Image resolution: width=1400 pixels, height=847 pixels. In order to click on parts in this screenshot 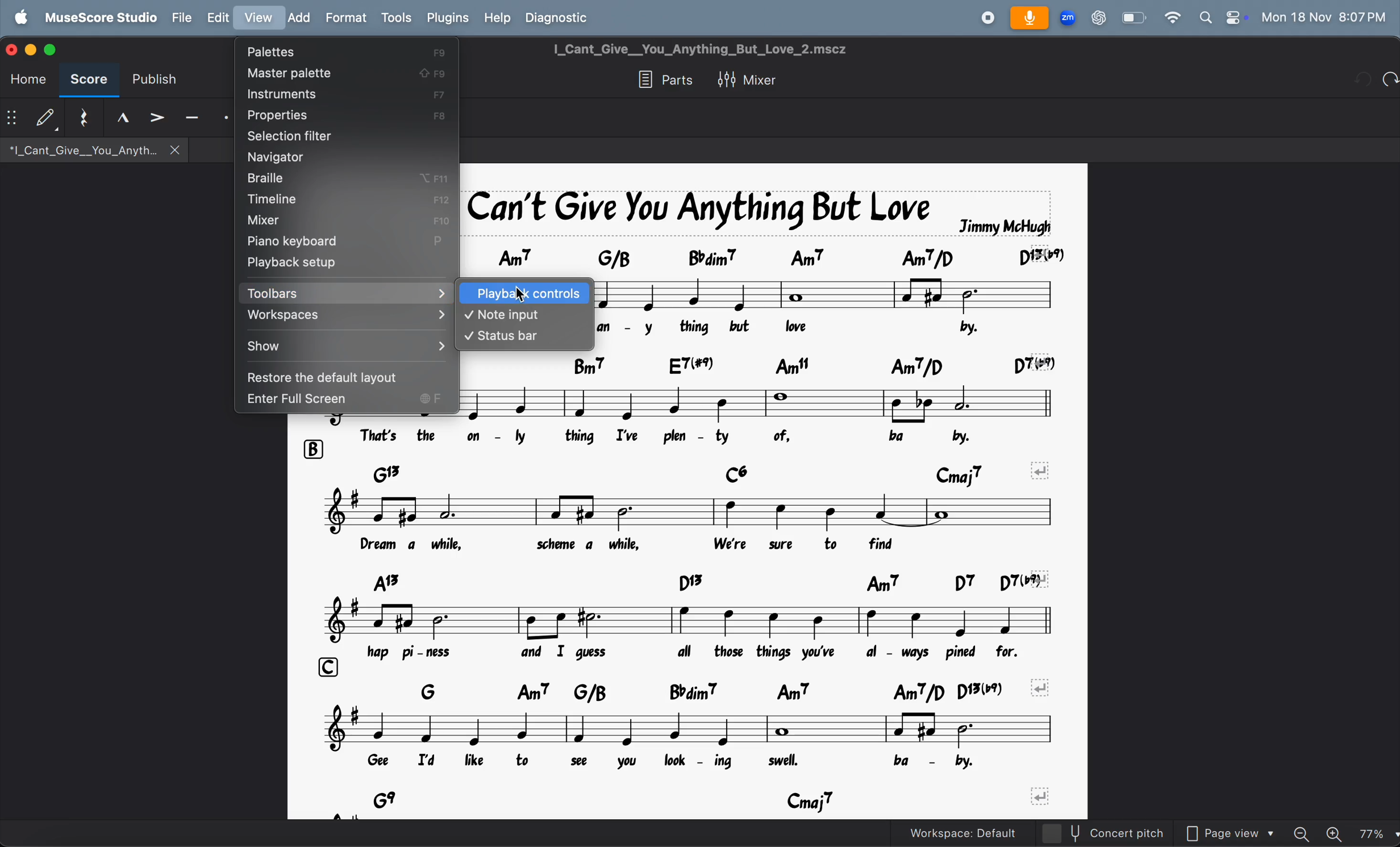, I will do `click(663, 80)`.